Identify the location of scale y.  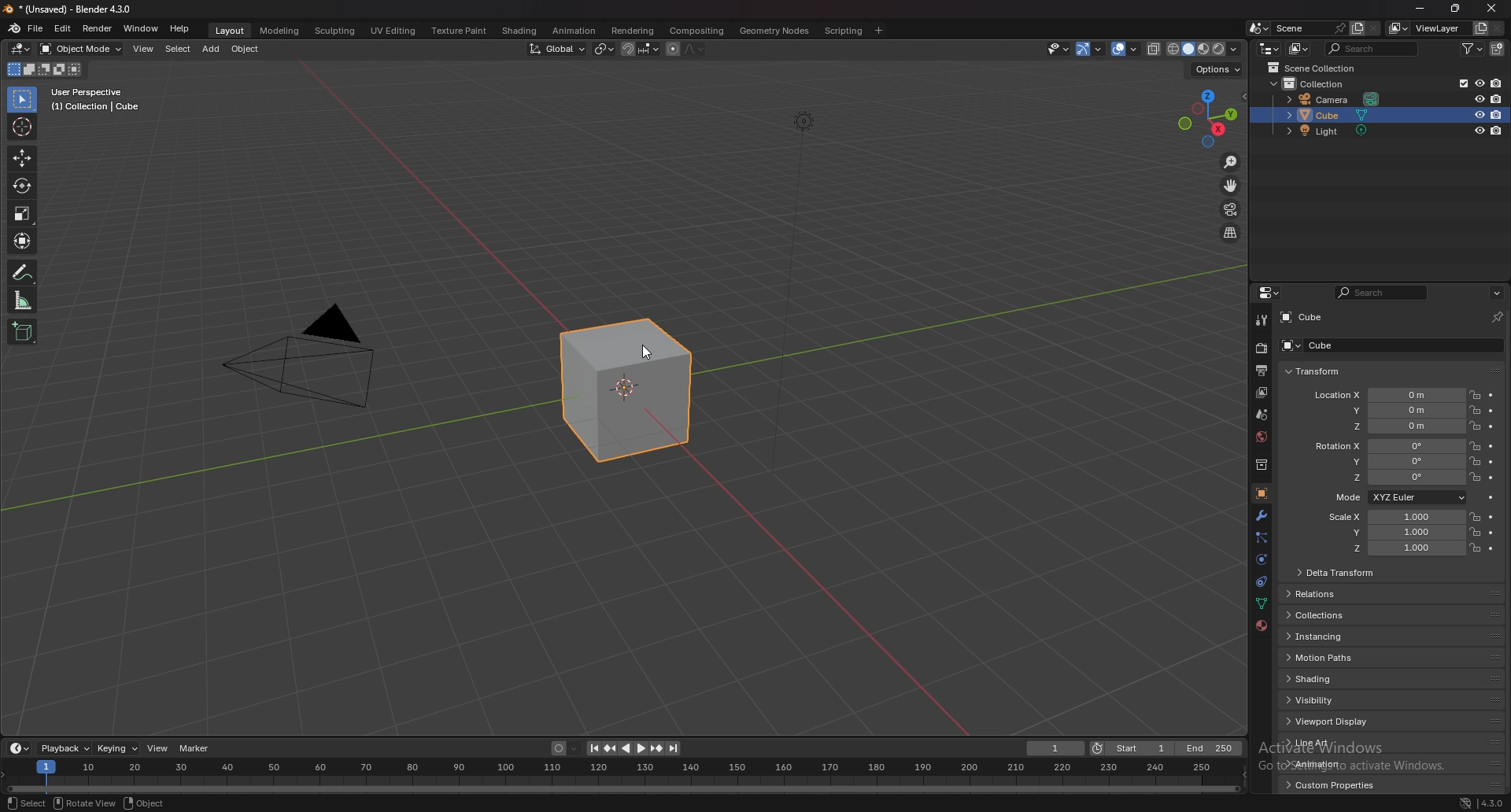
(1392, 533).